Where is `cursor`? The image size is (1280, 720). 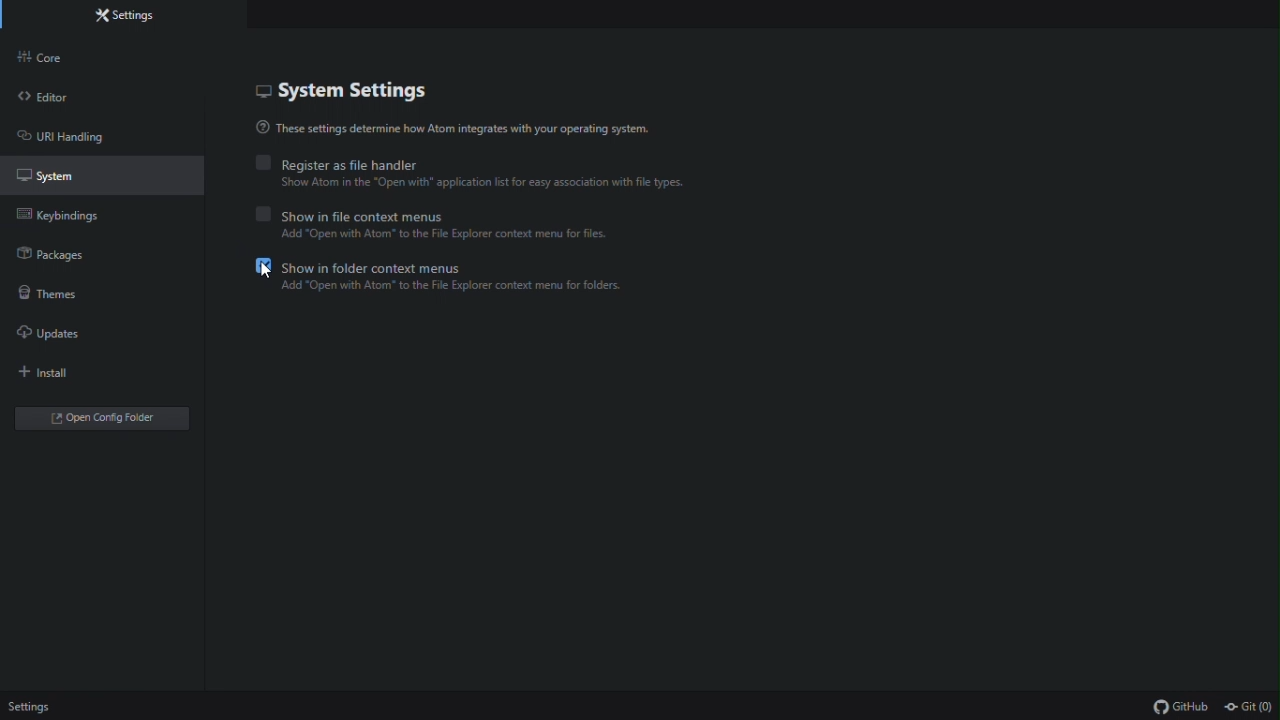 cursor is located at coordinates (264, 271).